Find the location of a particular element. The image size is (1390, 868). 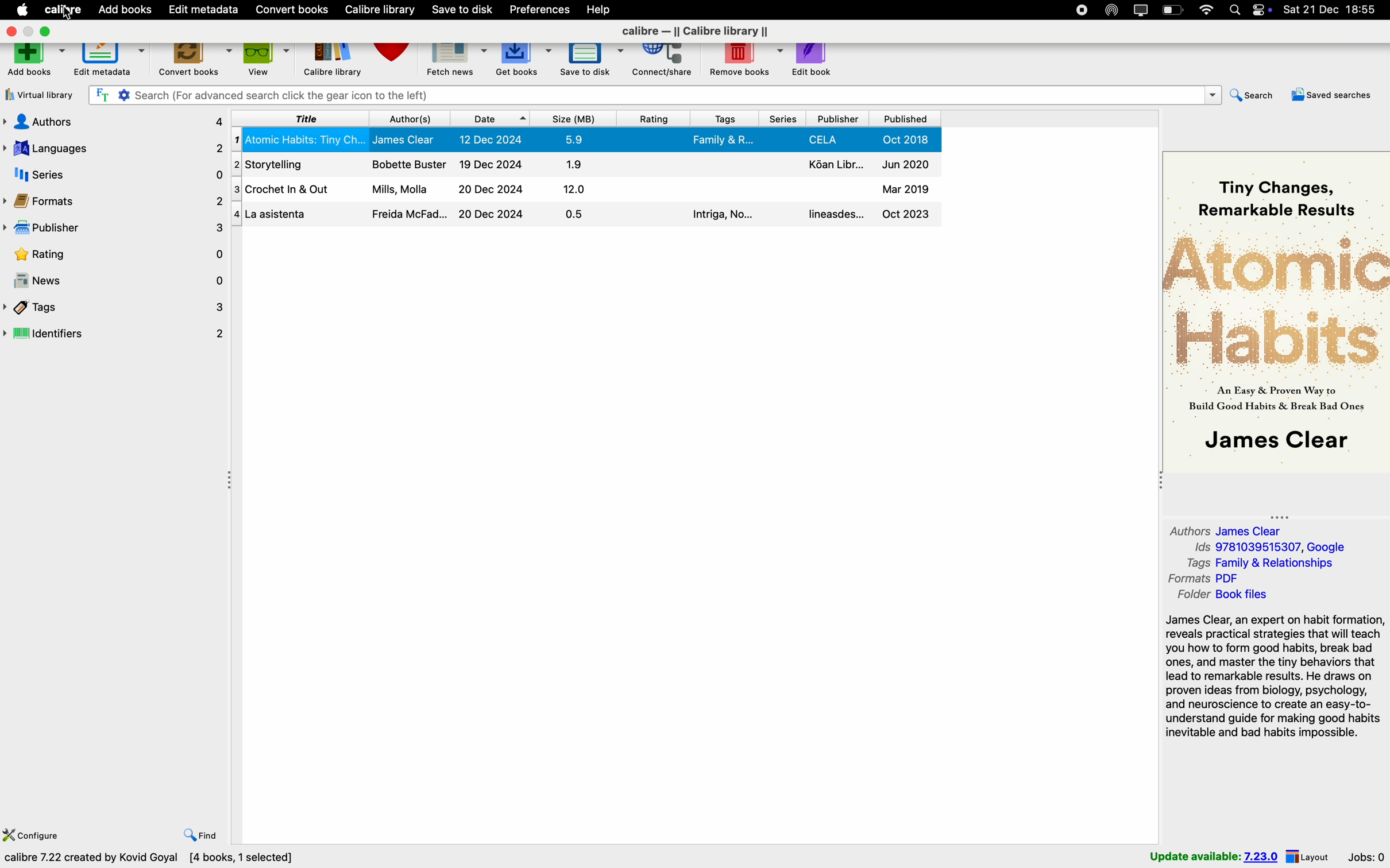

help is located at coordinates (602, 10).